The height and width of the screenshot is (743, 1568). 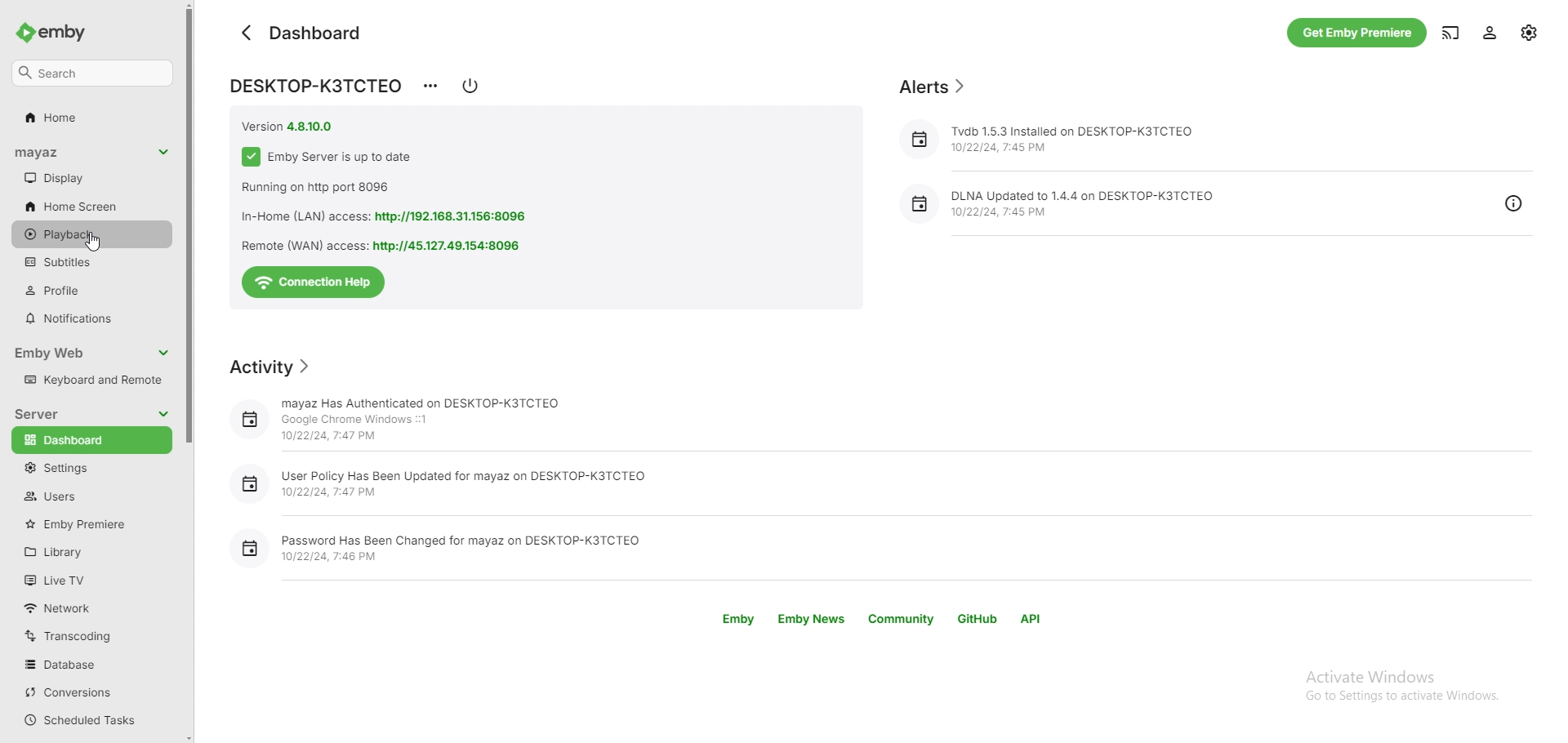 I want to click on collapse, so click(x=164, y=152).